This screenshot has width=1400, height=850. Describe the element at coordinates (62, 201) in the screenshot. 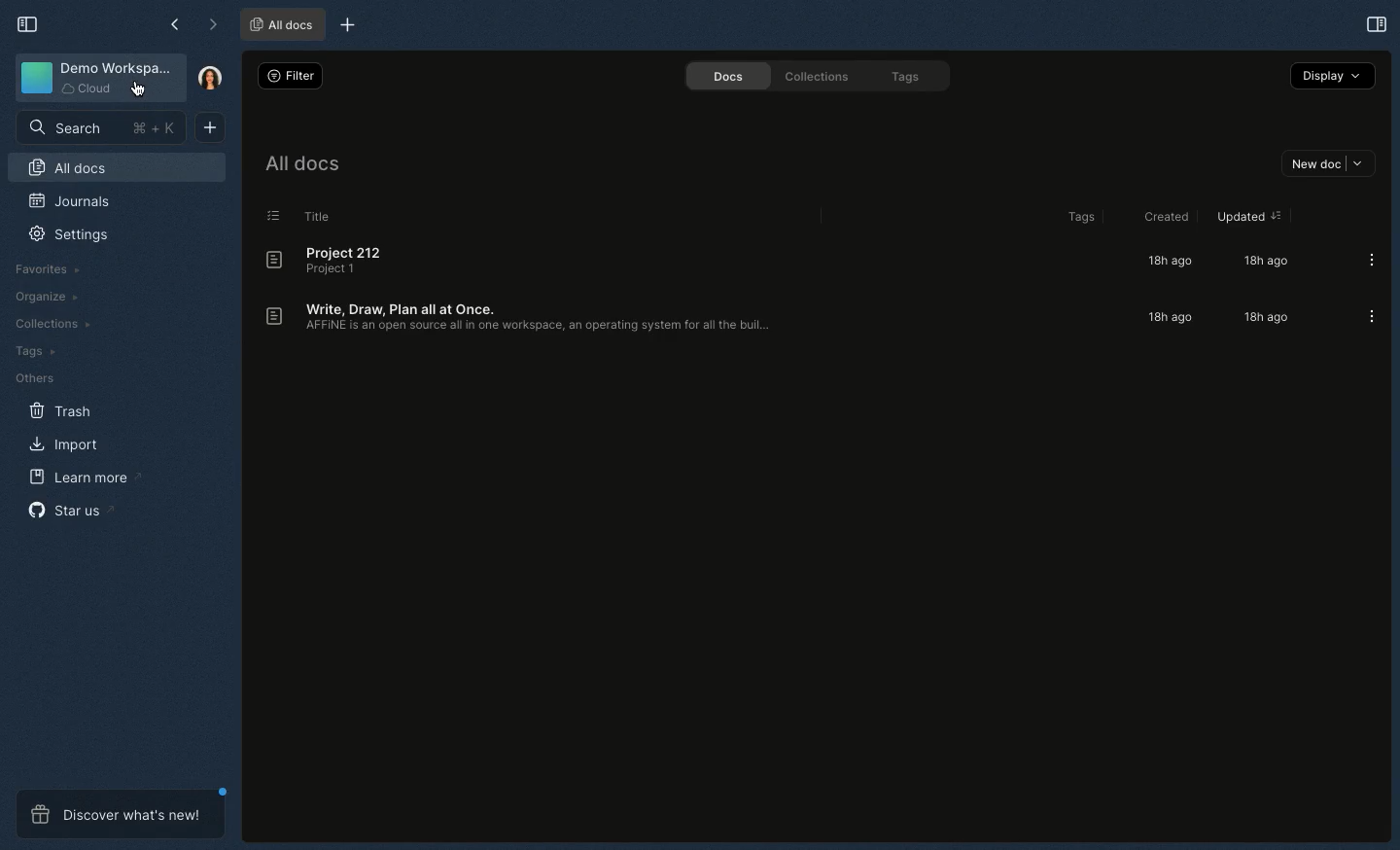

I see `Journals` at that location.